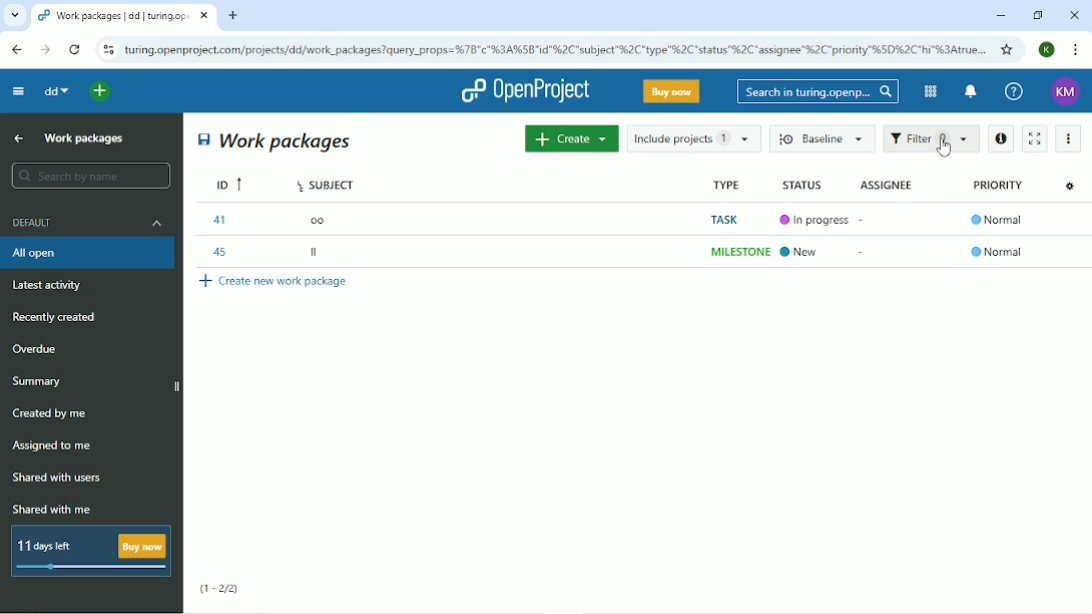  What do you see at coordinates (90, 253) in the screenshot?
I see `All open` at bounding box center [90, 253].